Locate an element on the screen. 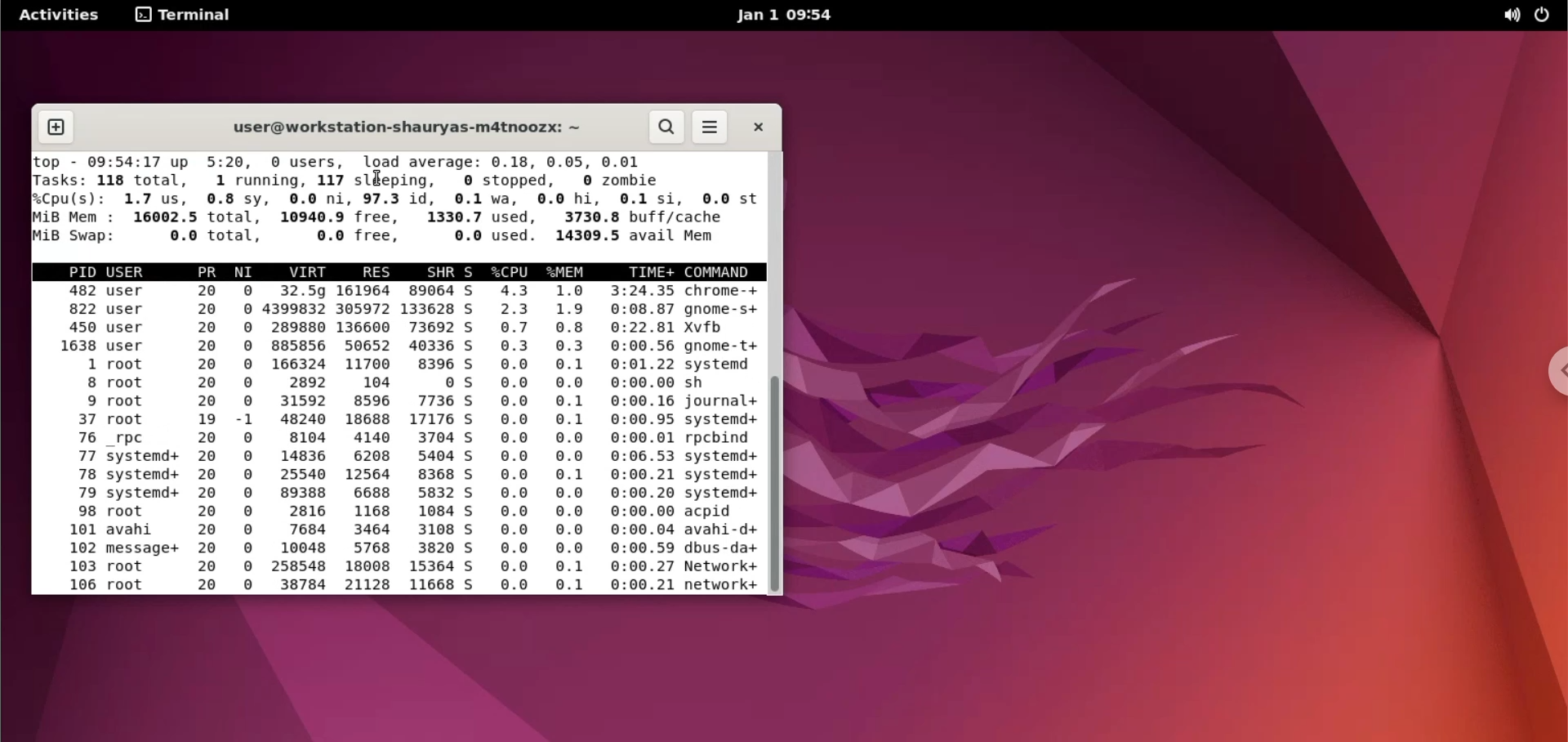 Image resolution: width=1568 pixels, height=742 pixels. TIME+  is located at coordinates (646, 272).